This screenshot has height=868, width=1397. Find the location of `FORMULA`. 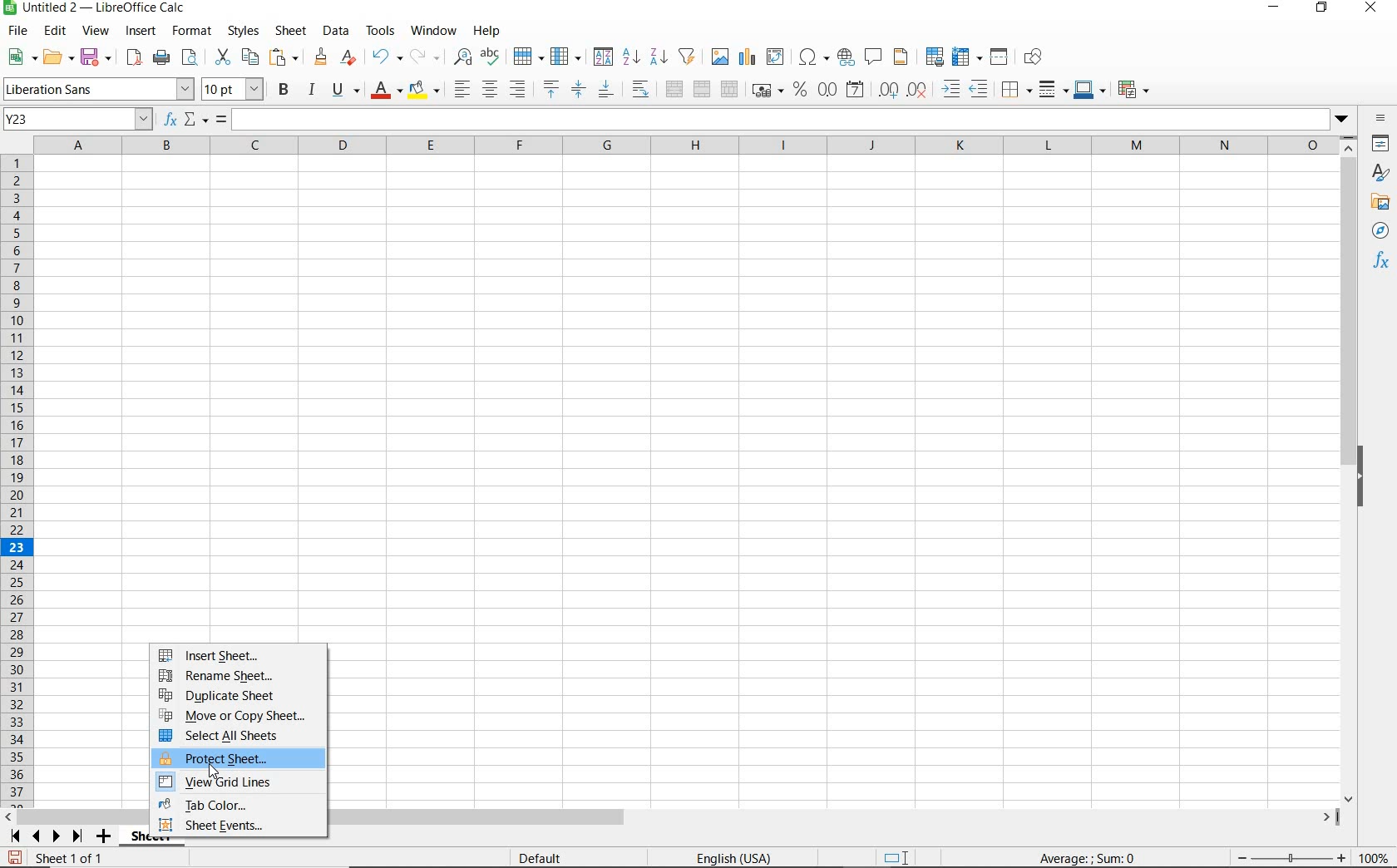

FORMULA is located at coordinates (1088, 859).